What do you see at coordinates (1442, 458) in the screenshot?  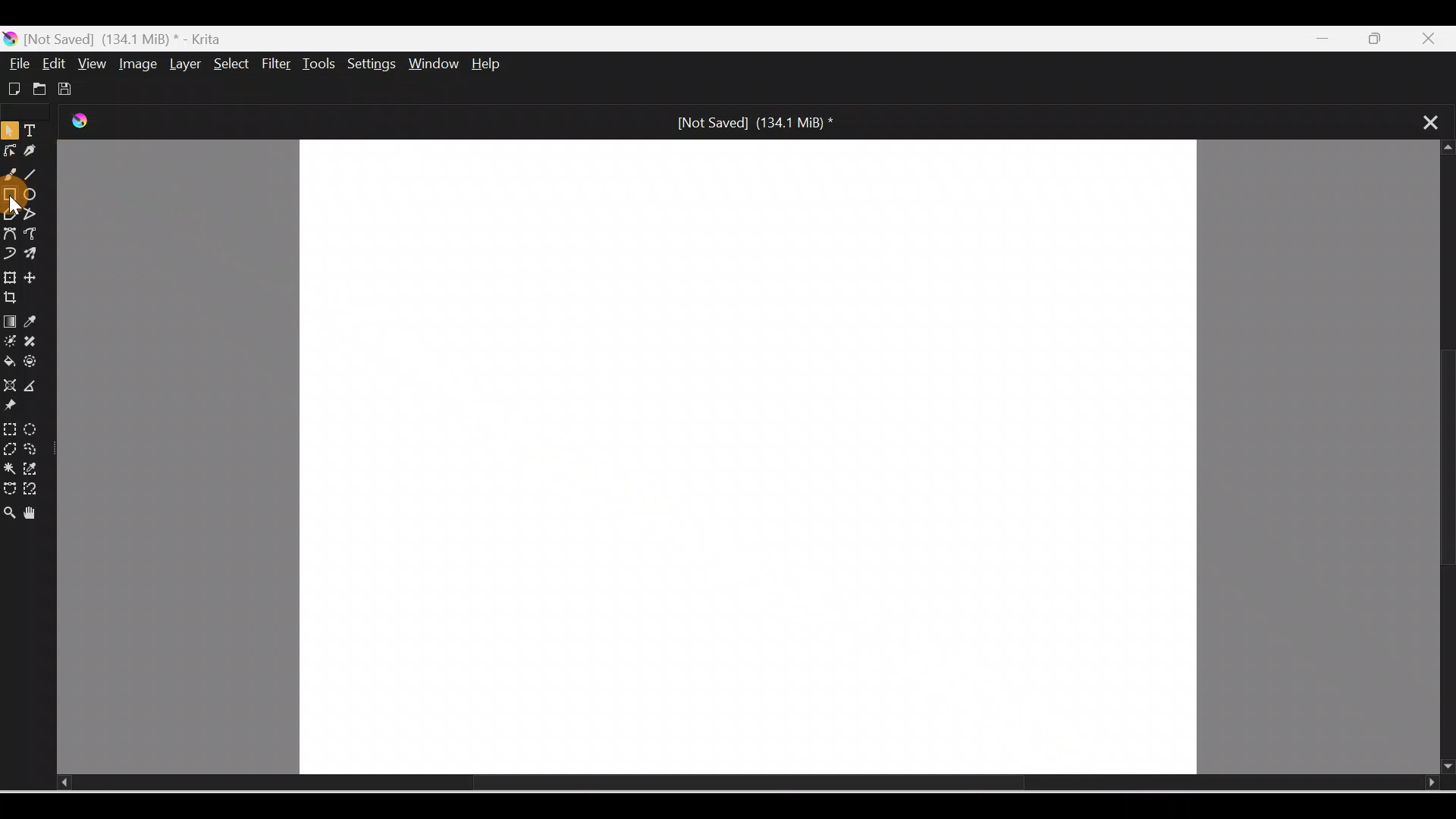 I see `Scroll bar` at bounding box center [1442, 458].